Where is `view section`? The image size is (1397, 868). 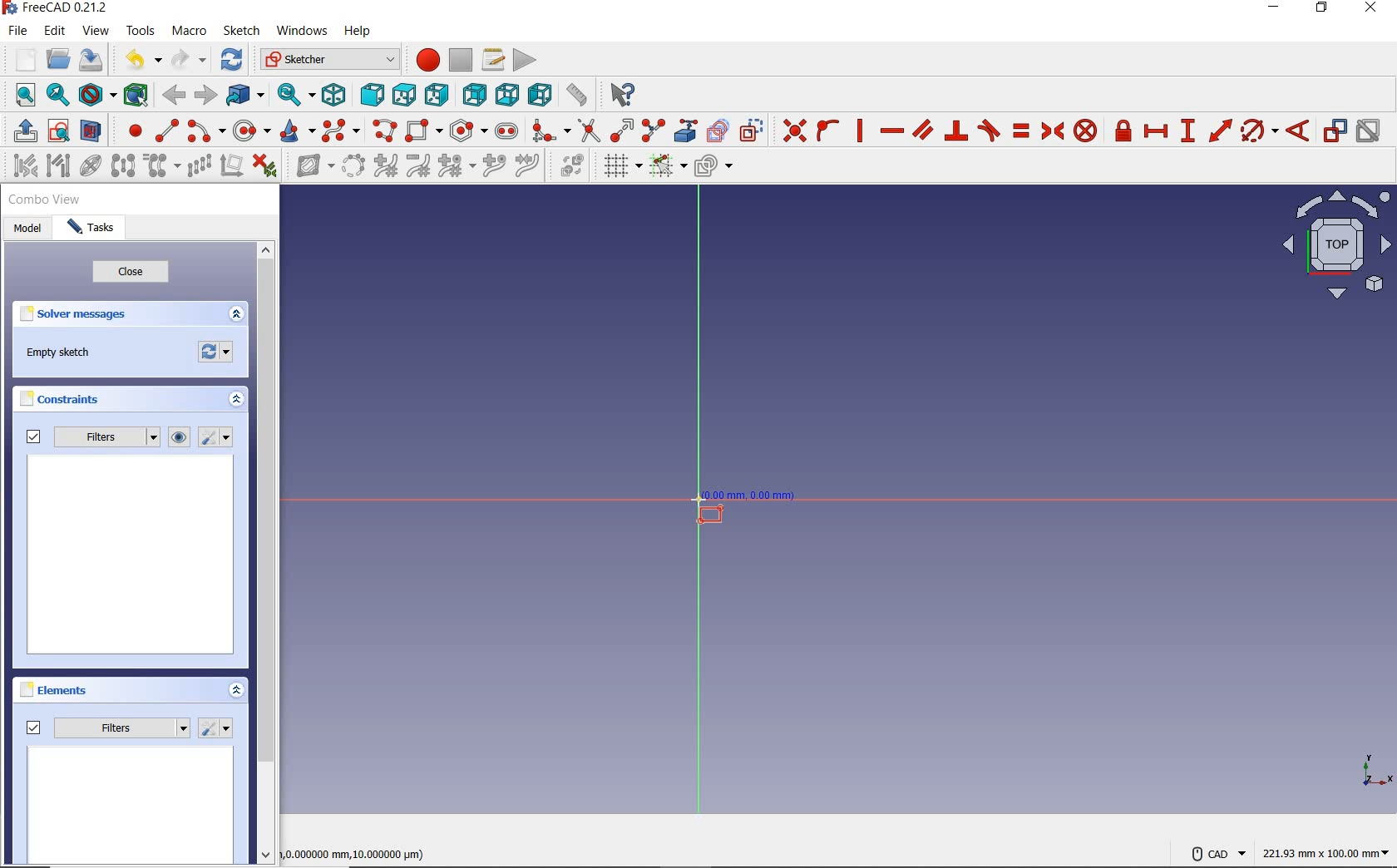 view section is located at coordinates (94, 131).